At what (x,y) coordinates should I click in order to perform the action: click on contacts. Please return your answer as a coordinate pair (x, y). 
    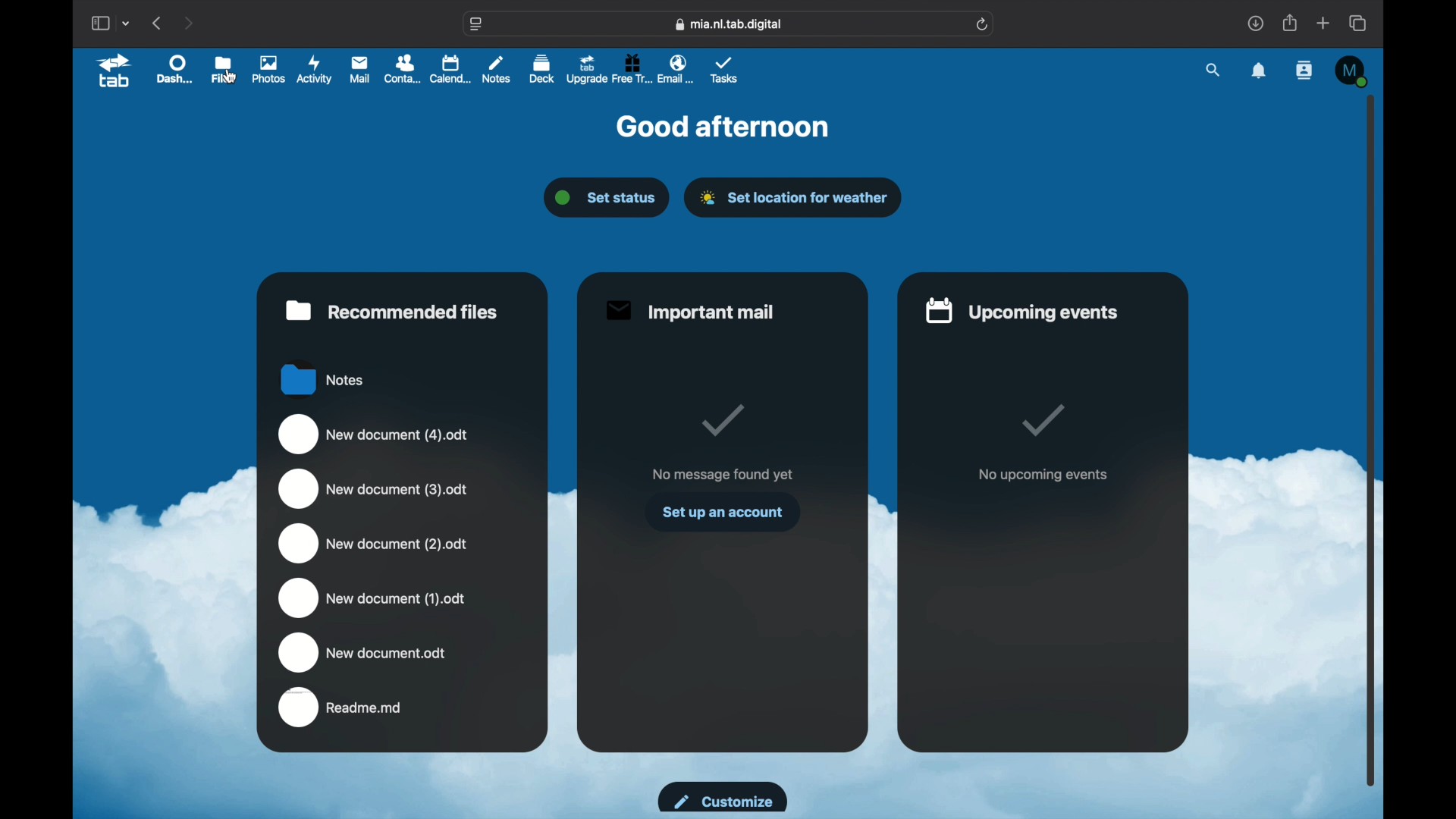
    Looking at the image, I should click on (1304, 71).